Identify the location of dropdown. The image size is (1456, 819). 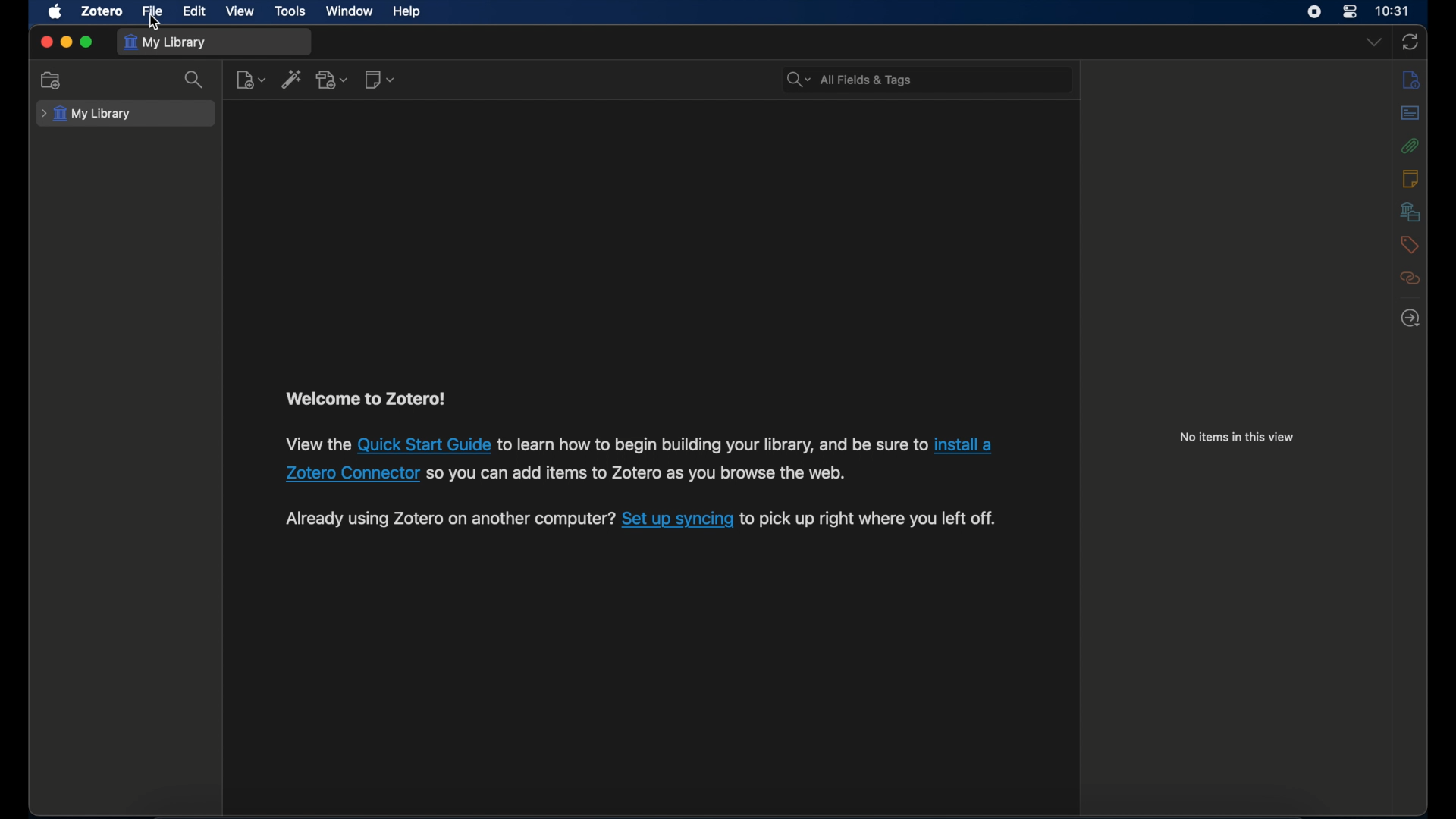
(1375, 42).